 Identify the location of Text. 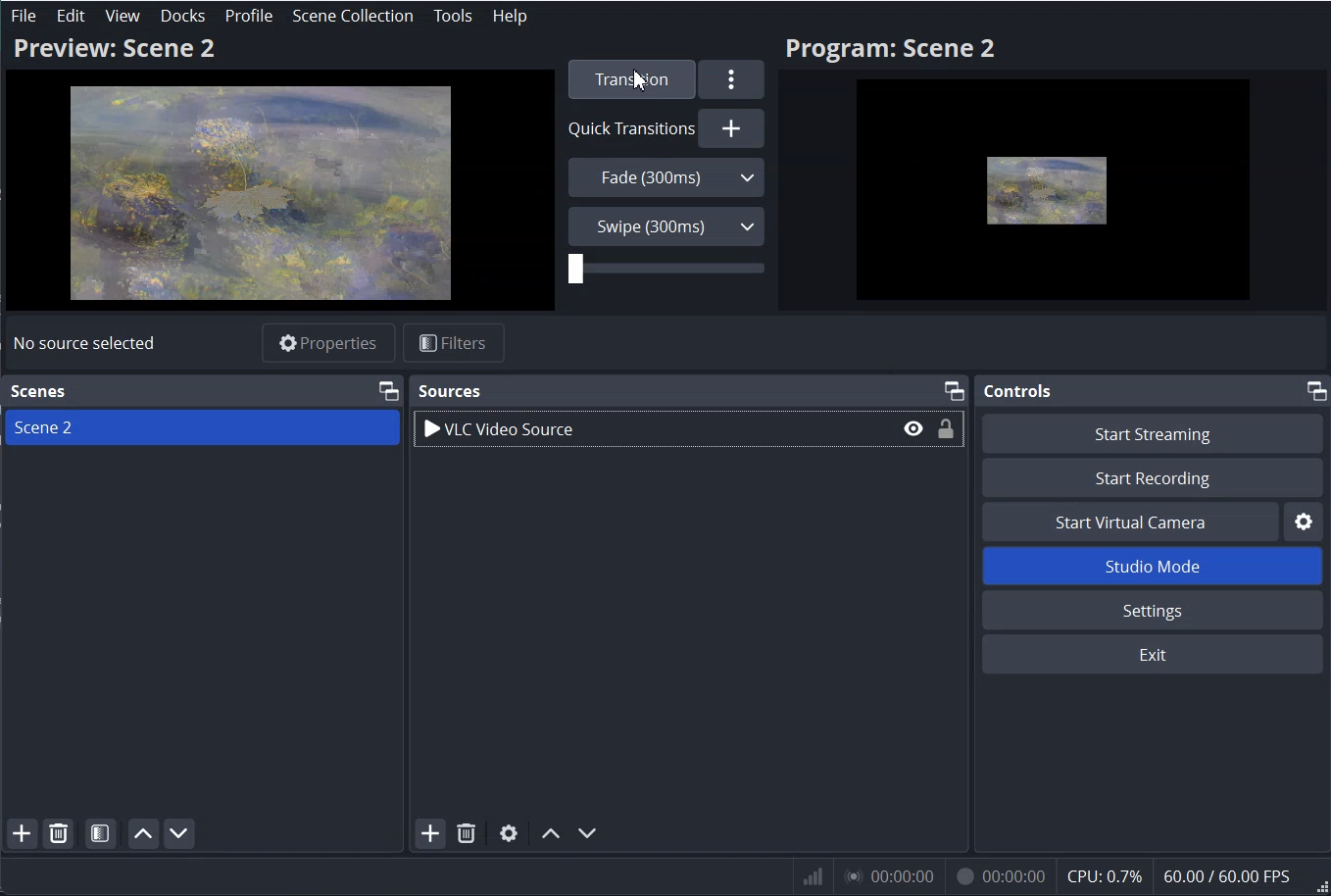
(83, 343).